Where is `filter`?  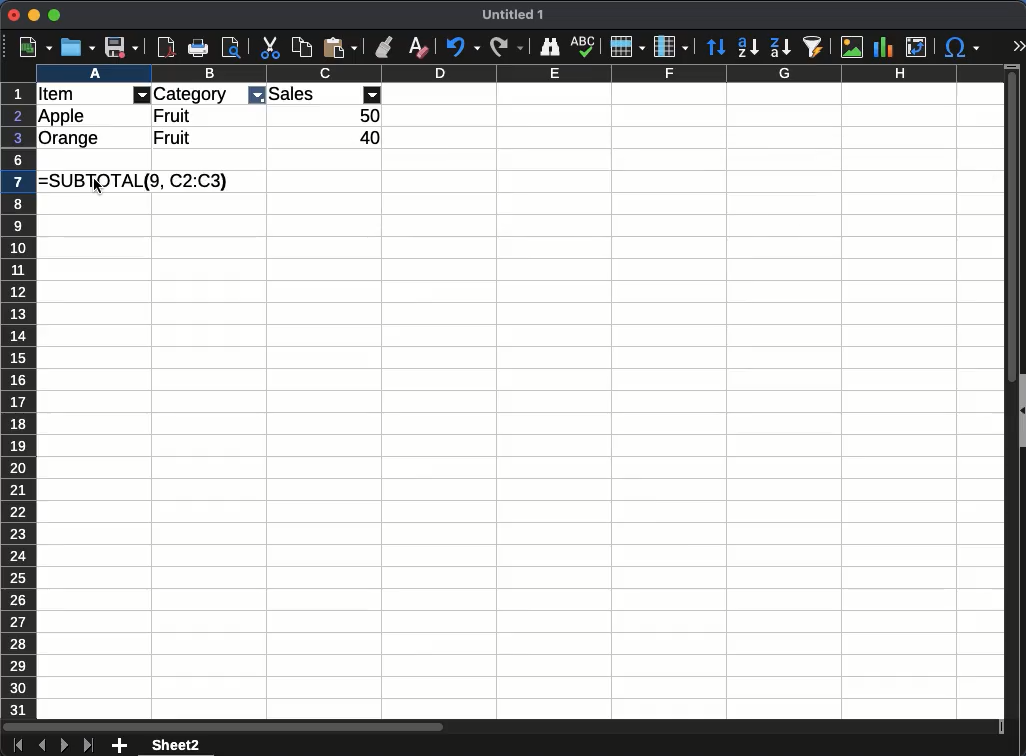 filter is located at coordinates (142, 95).